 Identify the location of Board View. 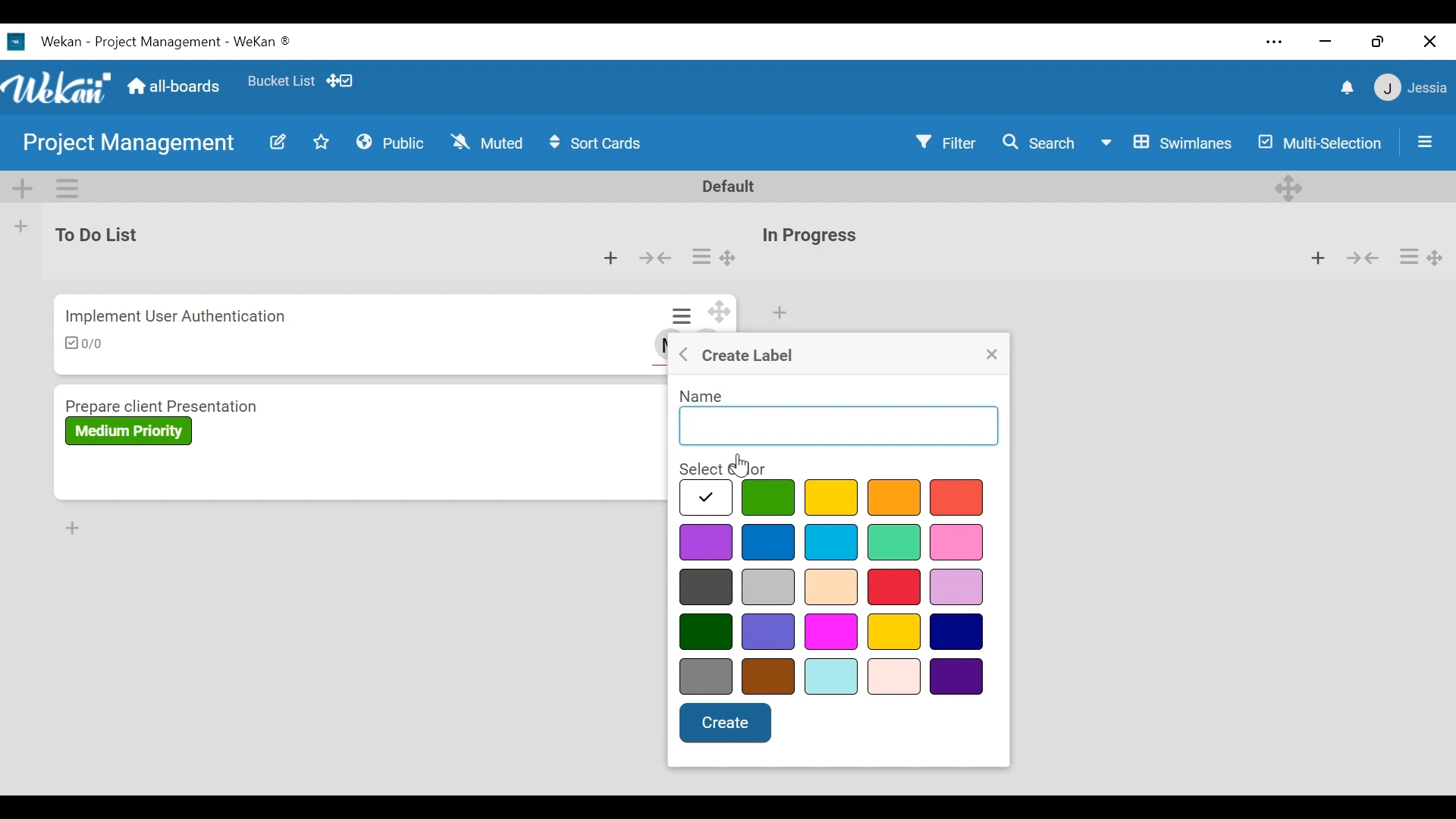
(1166, 143).